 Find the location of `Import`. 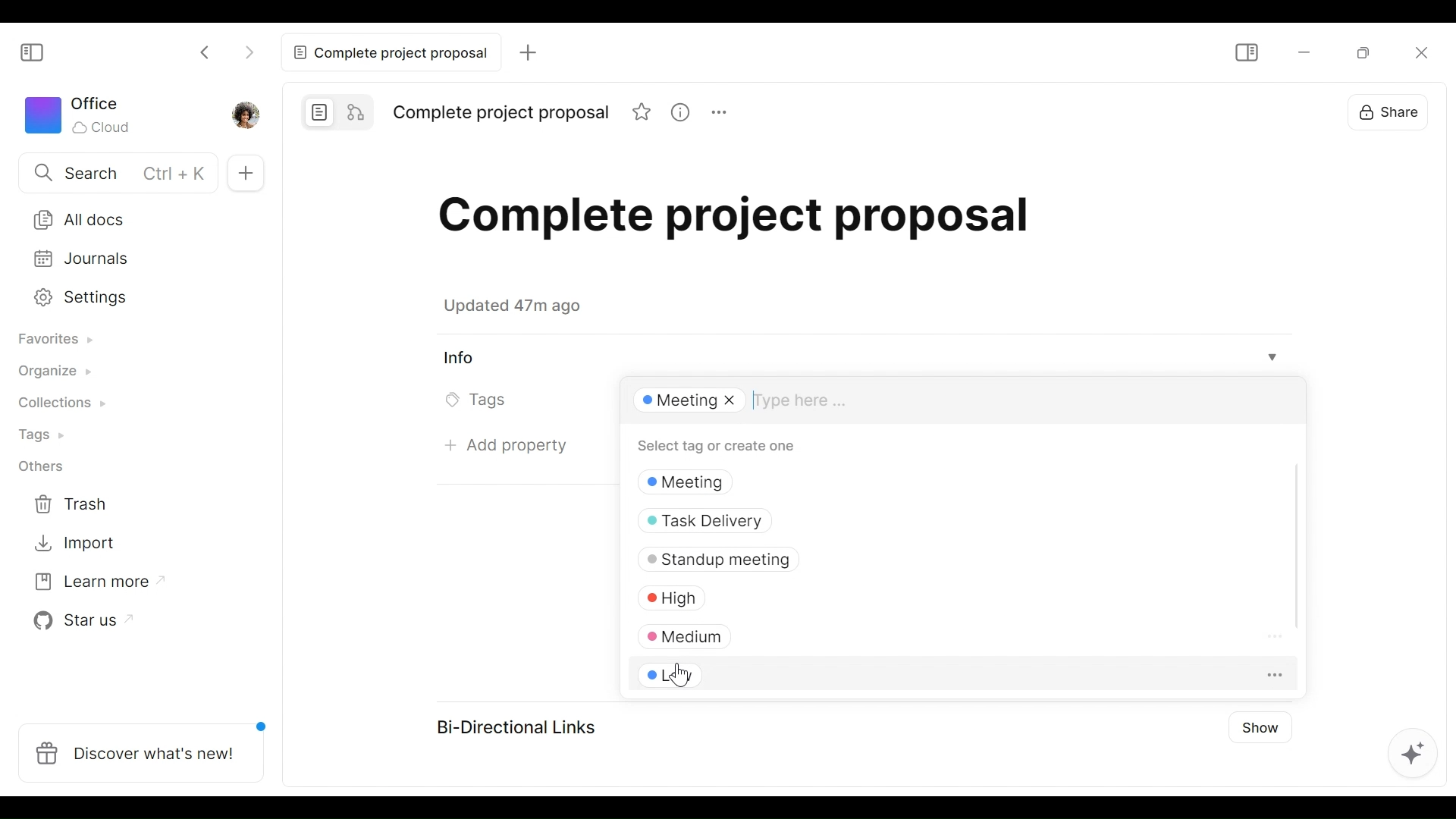

Import is located at coordinates (79, 544).